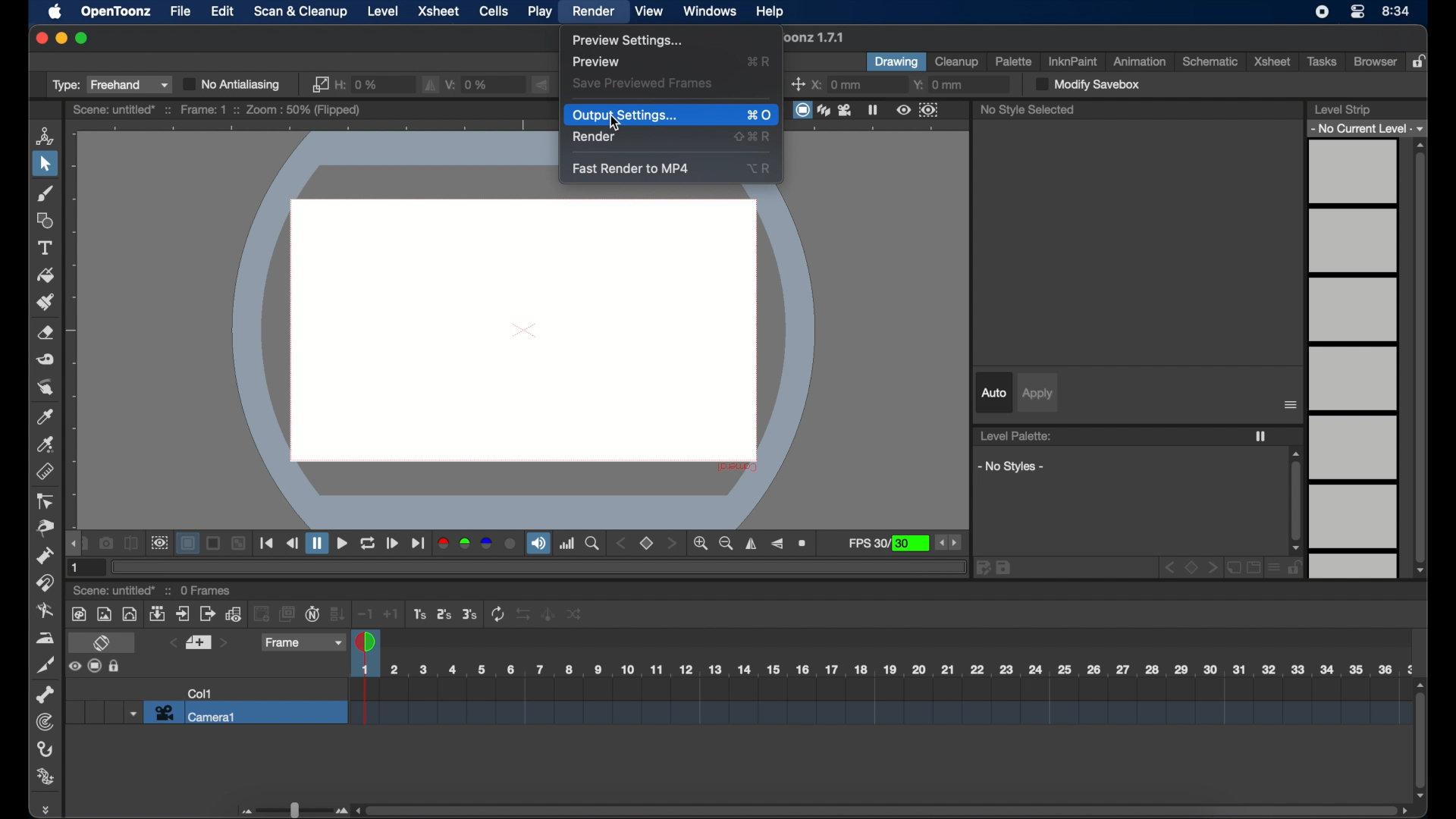 The image size is (1456, 819). What do you see at coordinates (110, 84) in the screenshot?
I see `type` at bounding box center [110, 84].